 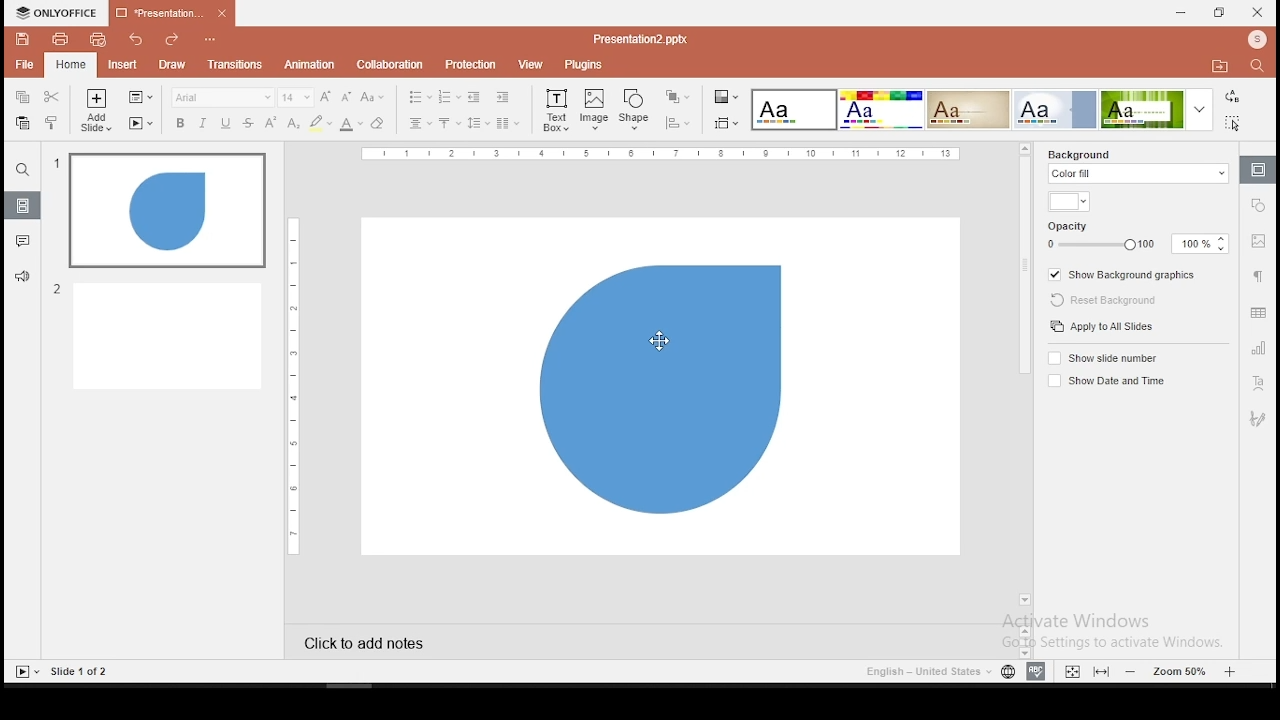 What do you see at coordinates (157, 335) in the screenshot?
I see `slide 2` at bounding box center [157, 335].